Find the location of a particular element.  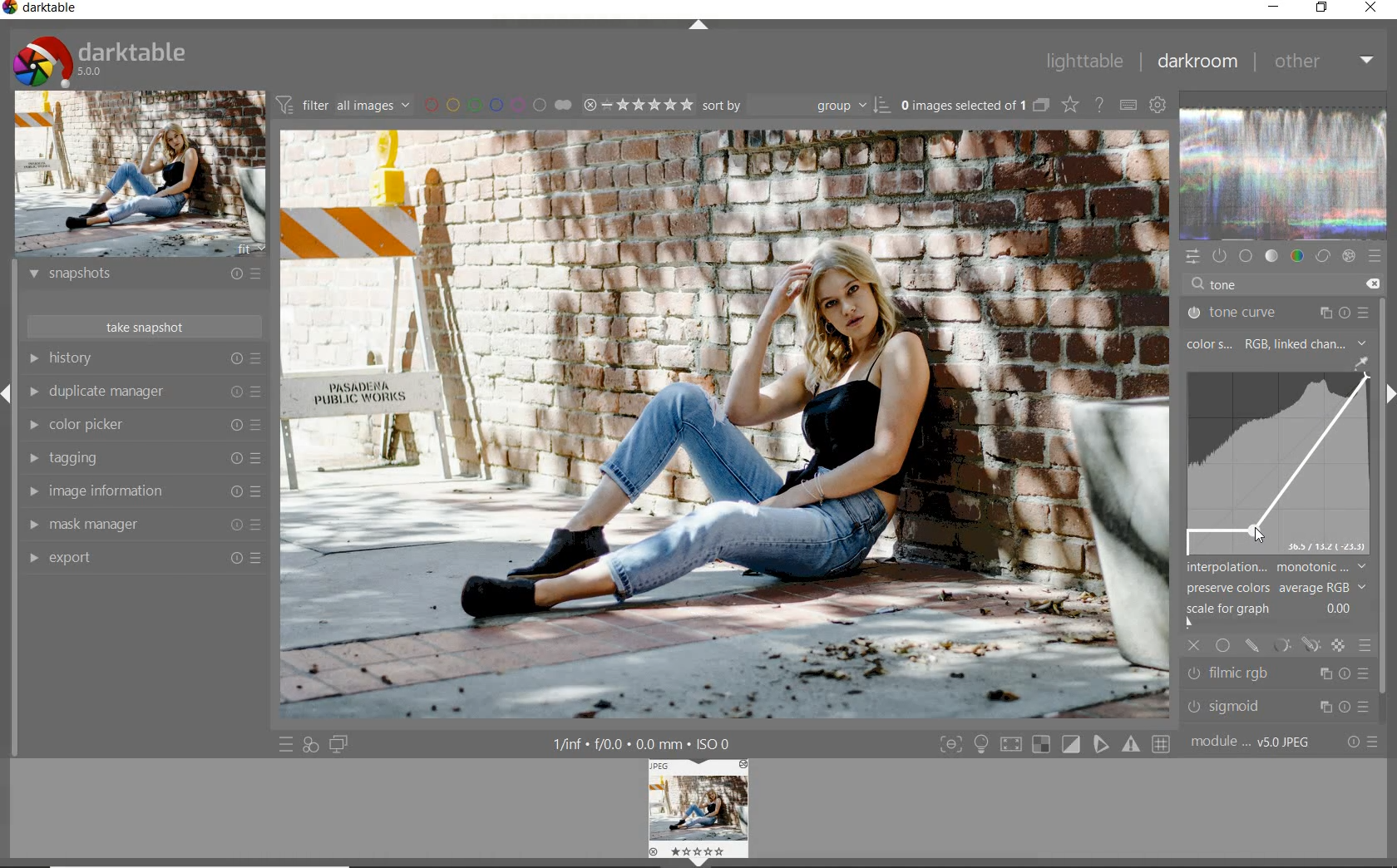

other is located at coordinates (1323, 62).